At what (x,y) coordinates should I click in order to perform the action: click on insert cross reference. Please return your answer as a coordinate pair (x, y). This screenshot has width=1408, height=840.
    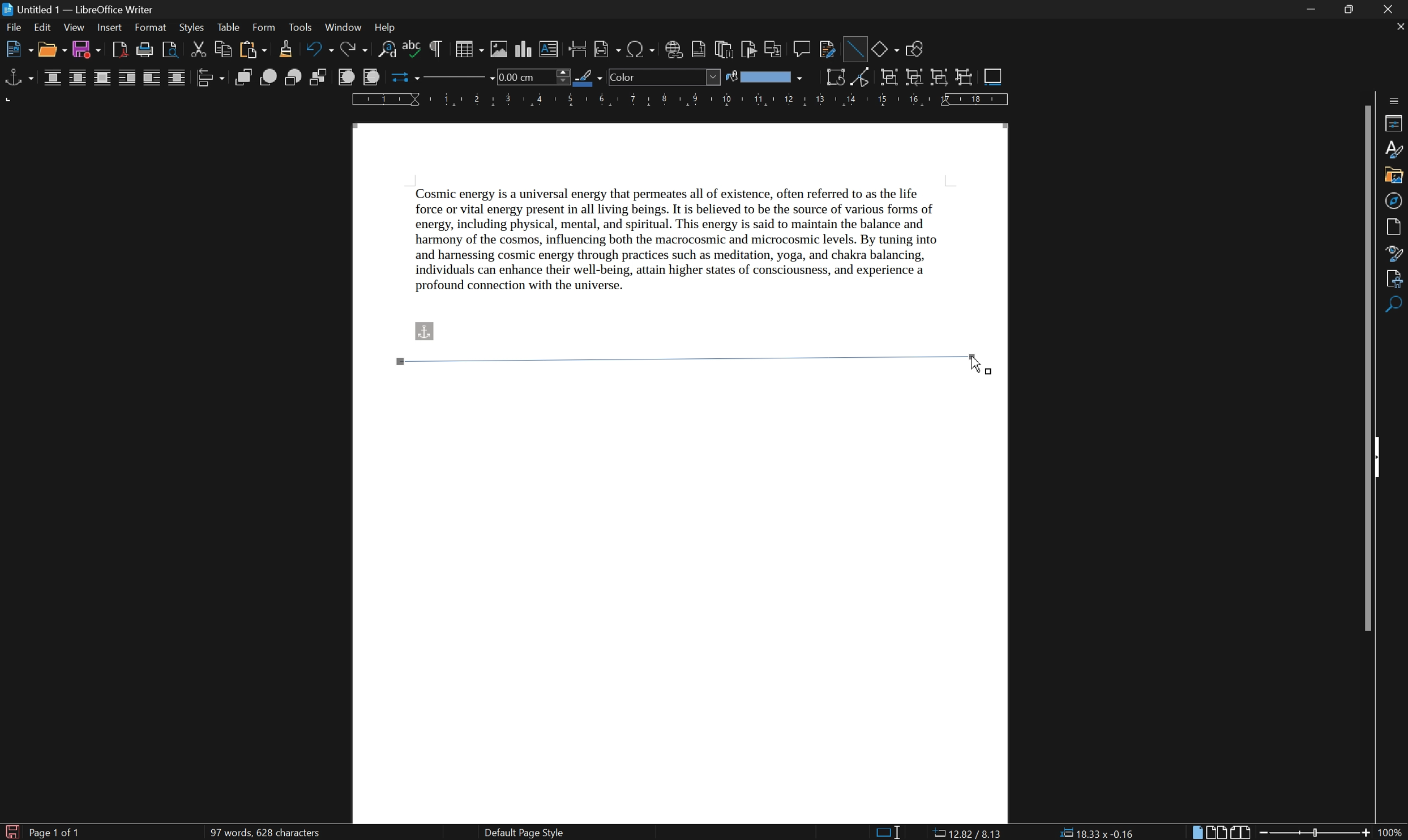
    Looking at the image, I should click on (774, 49).